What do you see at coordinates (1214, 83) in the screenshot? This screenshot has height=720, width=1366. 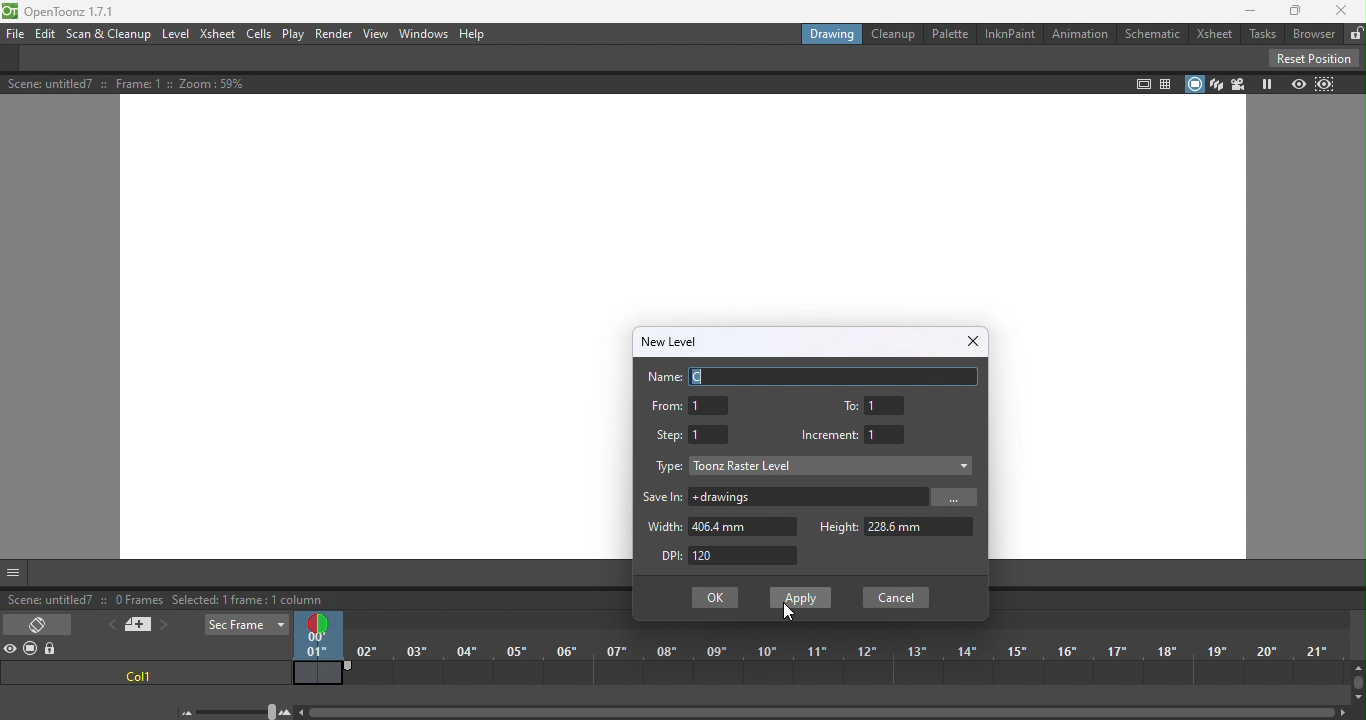 I see `3D view` at bounding box center [1214, 83].